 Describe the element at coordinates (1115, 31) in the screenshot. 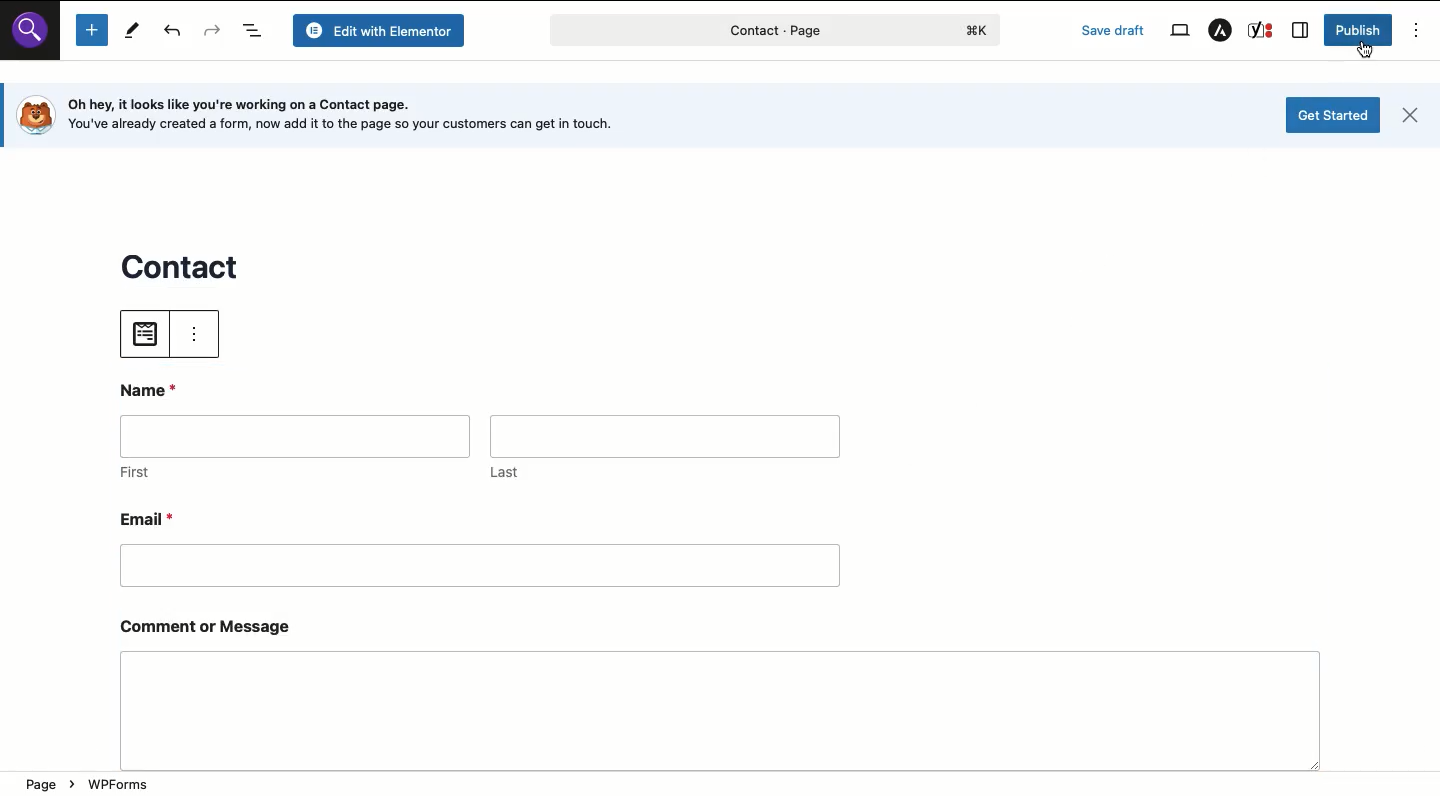

I see `Save draft` at that location.